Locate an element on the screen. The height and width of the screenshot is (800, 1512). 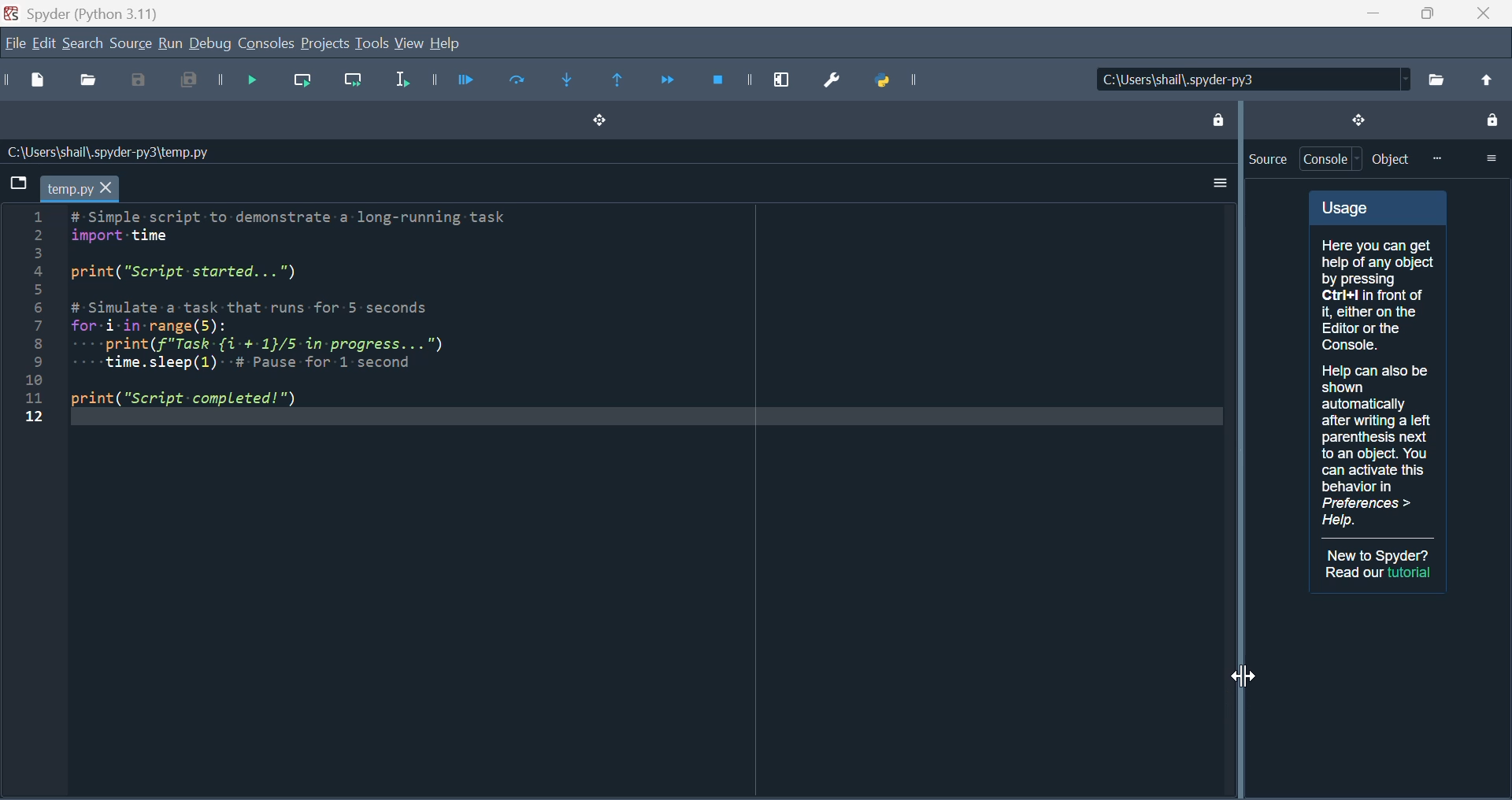
search is located at coordinates (83, 43).